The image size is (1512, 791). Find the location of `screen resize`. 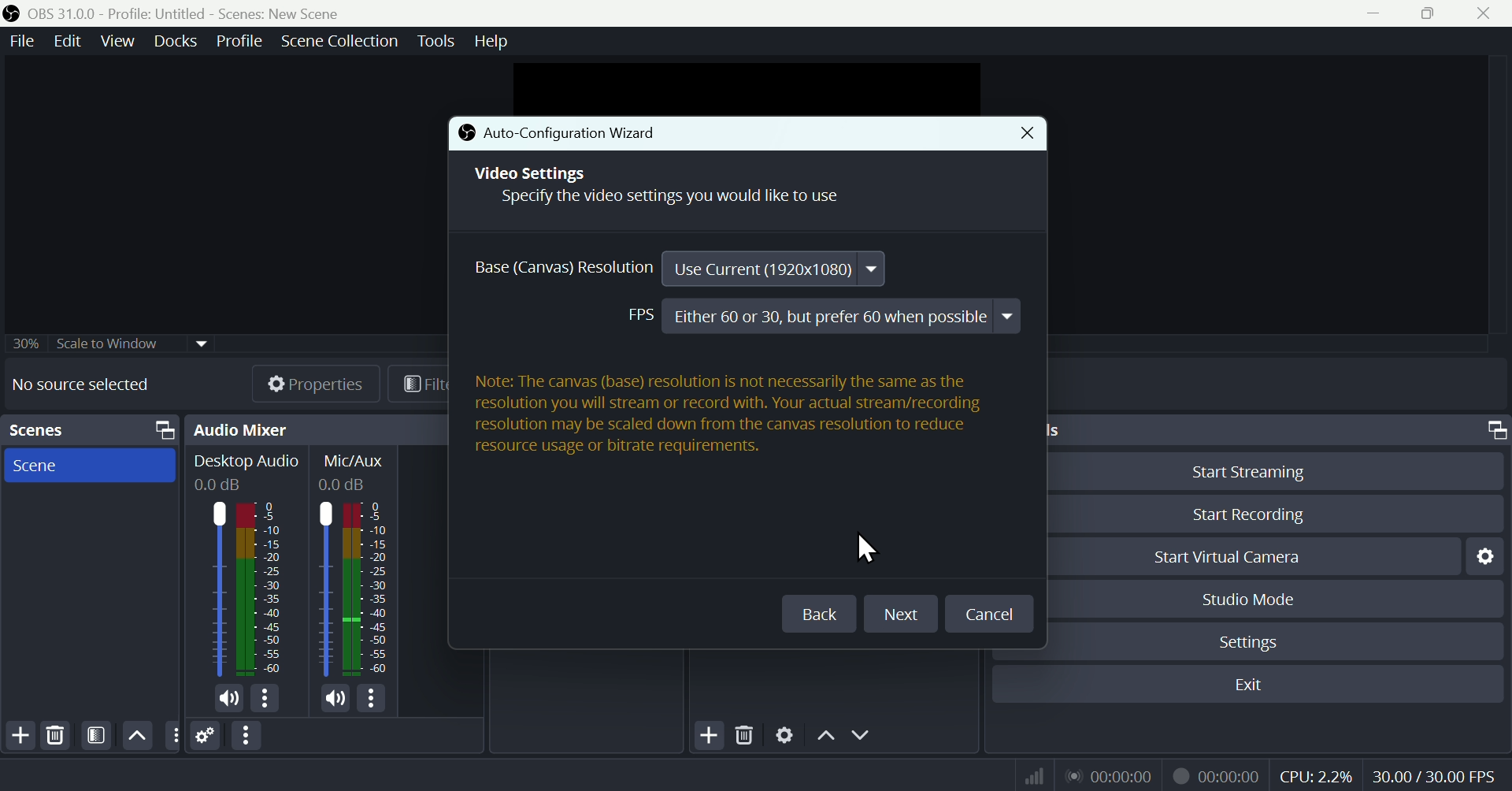

screen resize is located at coordinates (1492, 430).